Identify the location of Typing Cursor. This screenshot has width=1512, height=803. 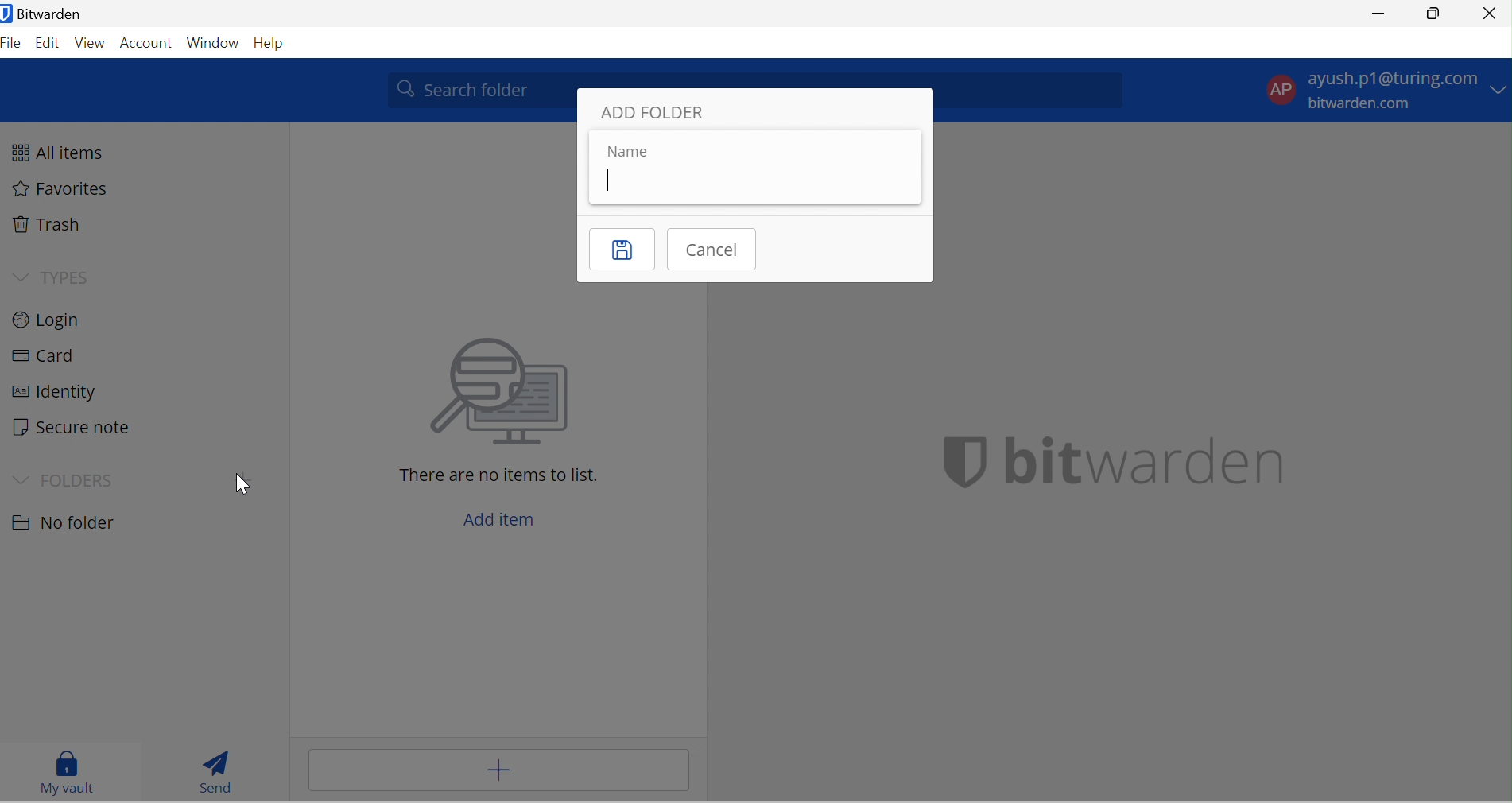
(605, 181).